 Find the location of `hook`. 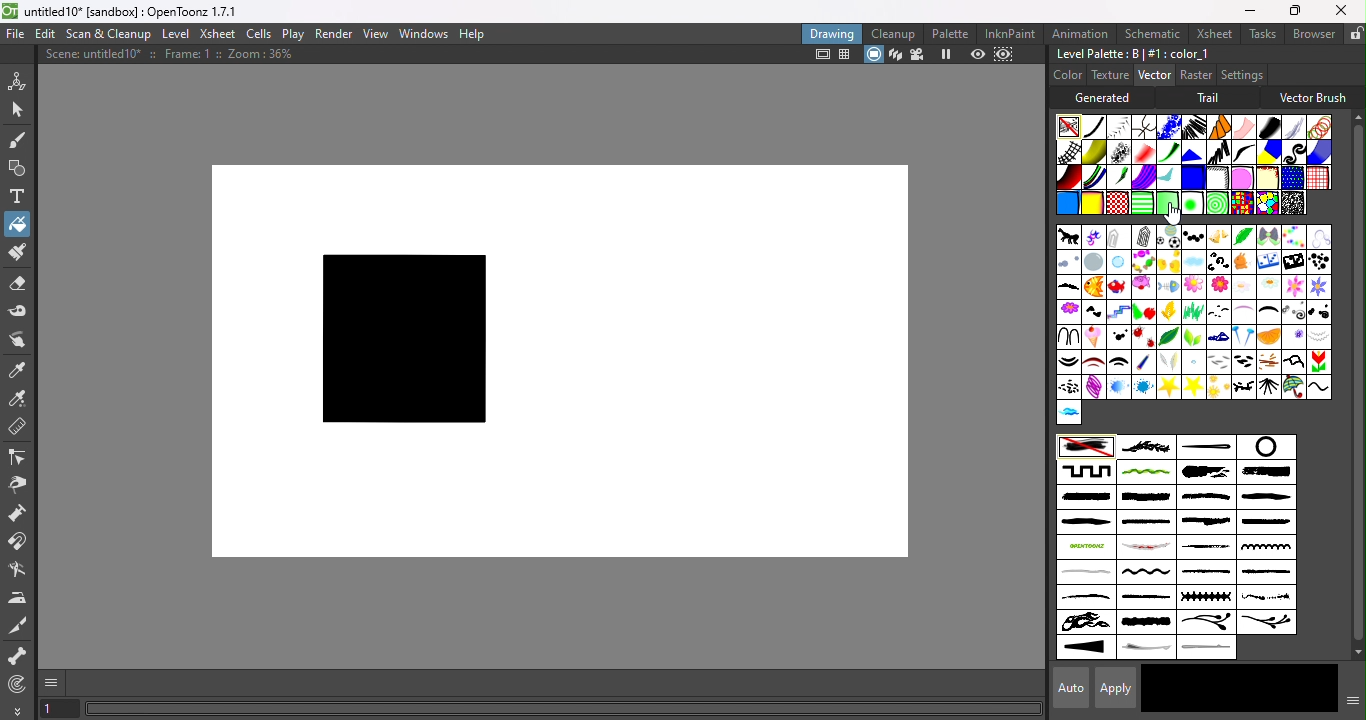

hook is located at coordinates (1067, 335).